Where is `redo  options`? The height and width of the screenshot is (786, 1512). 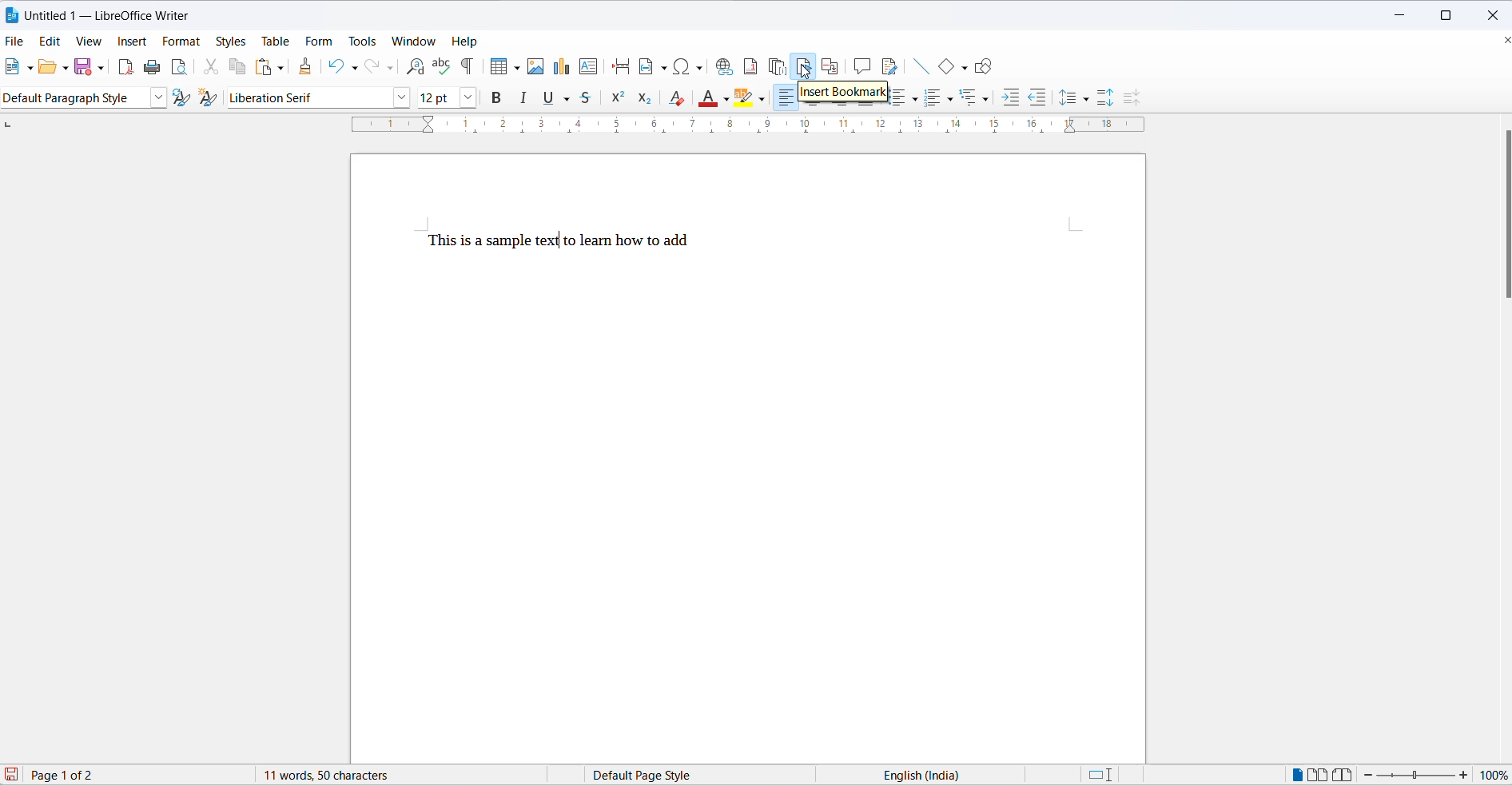 redo  options is located at coordinates (391, 67).